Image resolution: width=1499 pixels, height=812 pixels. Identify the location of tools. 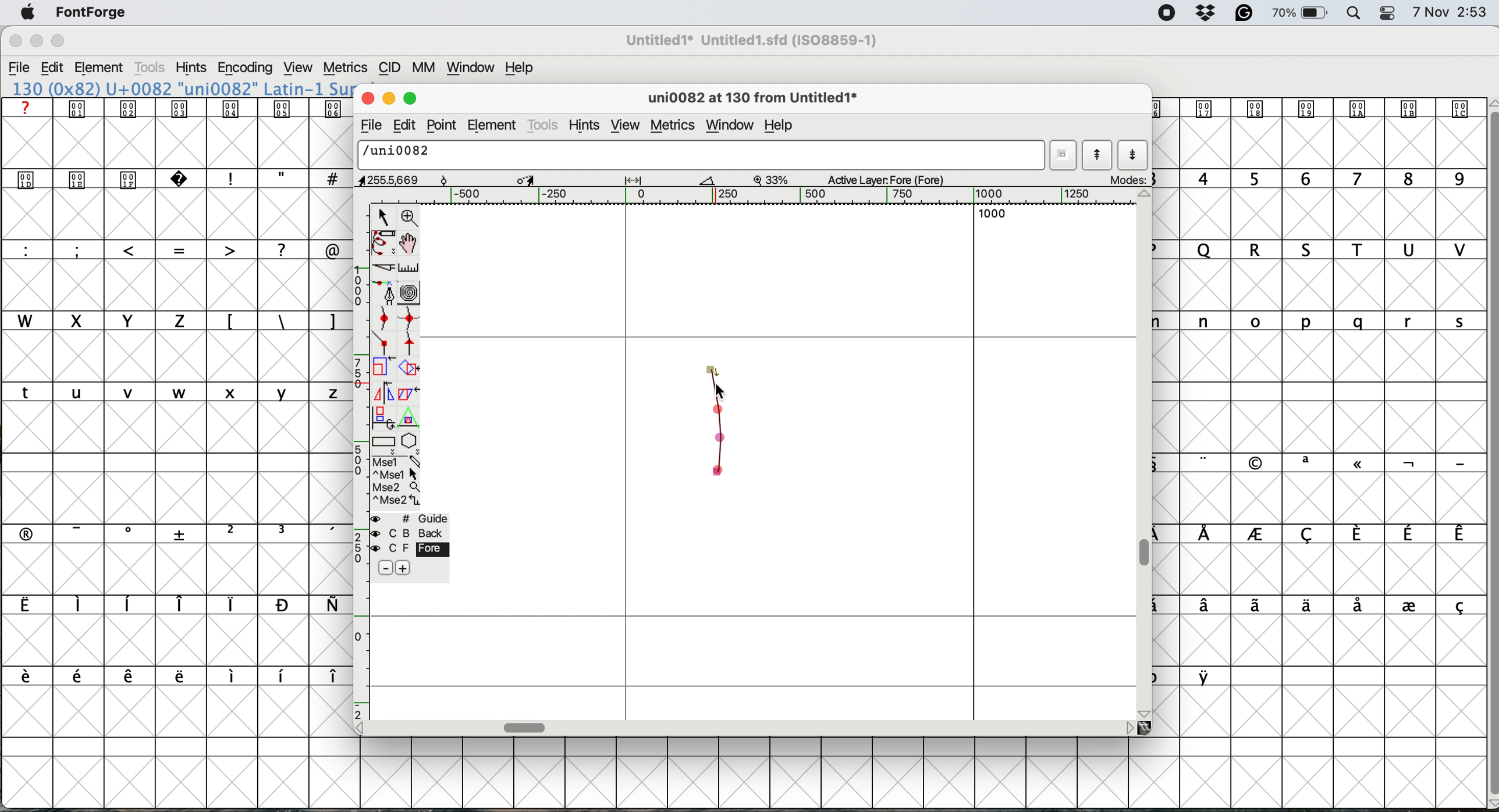
(544, 124).